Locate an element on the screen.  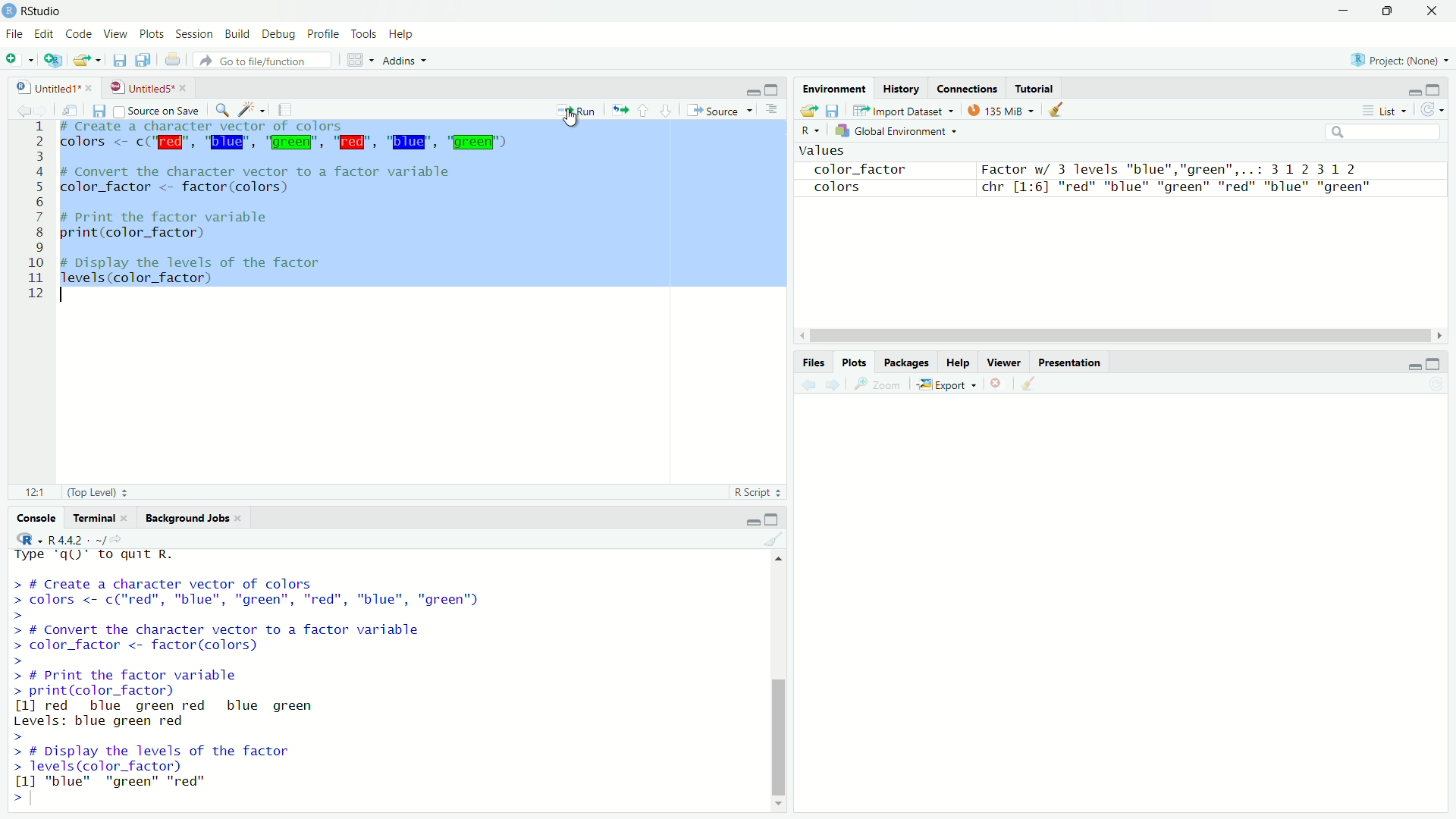
minimize is located at coordinates (745, 519).